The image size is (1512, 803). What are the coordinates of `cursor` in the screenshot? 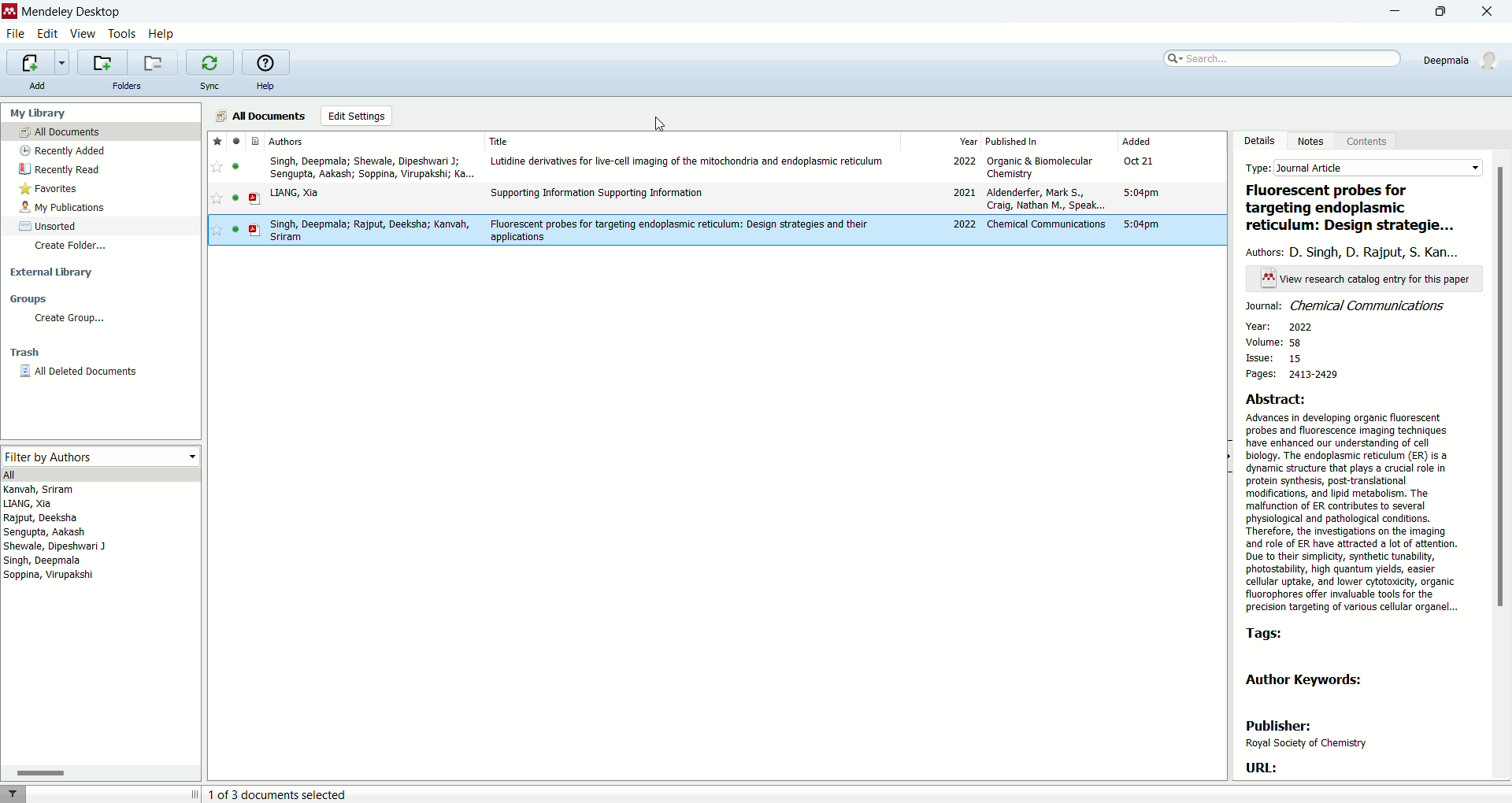 It's located at (661, 128).